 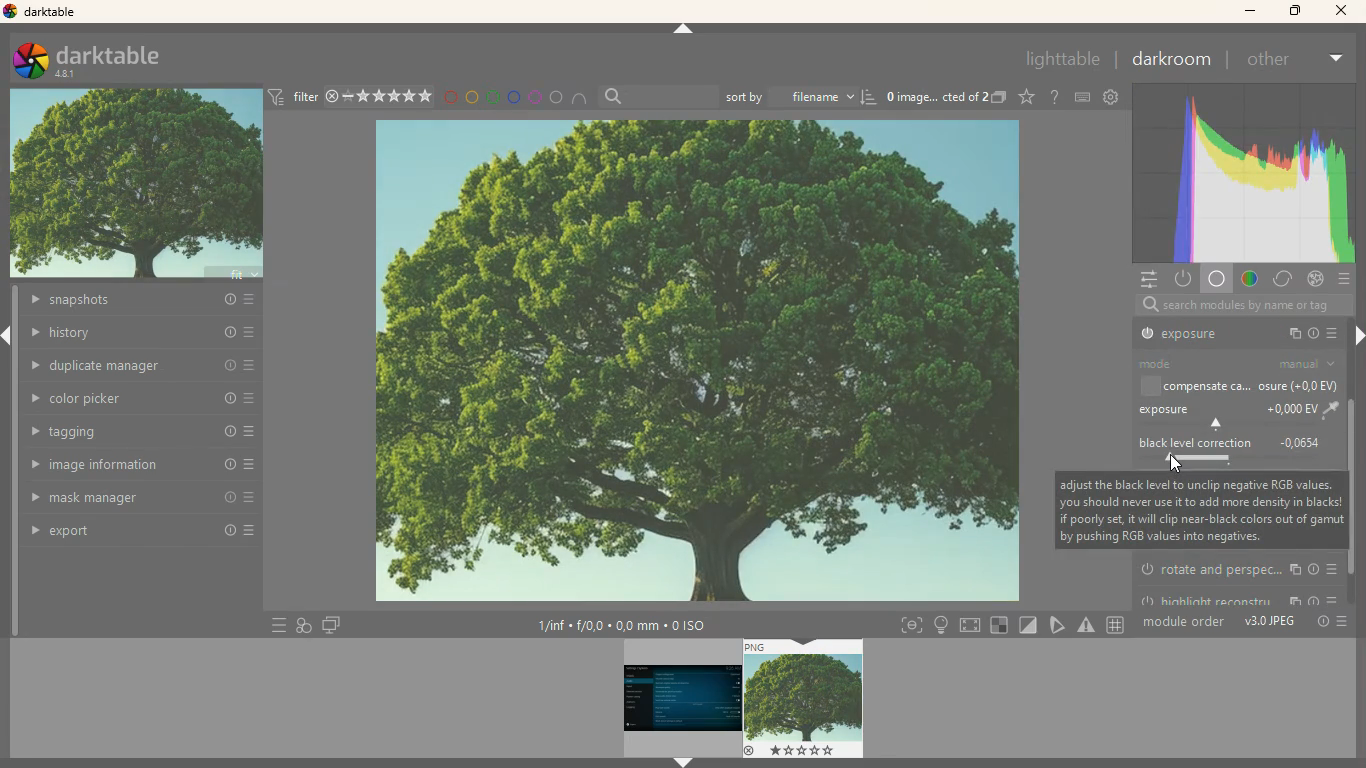 I want to click on doubt, so click(x=1052, y=98).